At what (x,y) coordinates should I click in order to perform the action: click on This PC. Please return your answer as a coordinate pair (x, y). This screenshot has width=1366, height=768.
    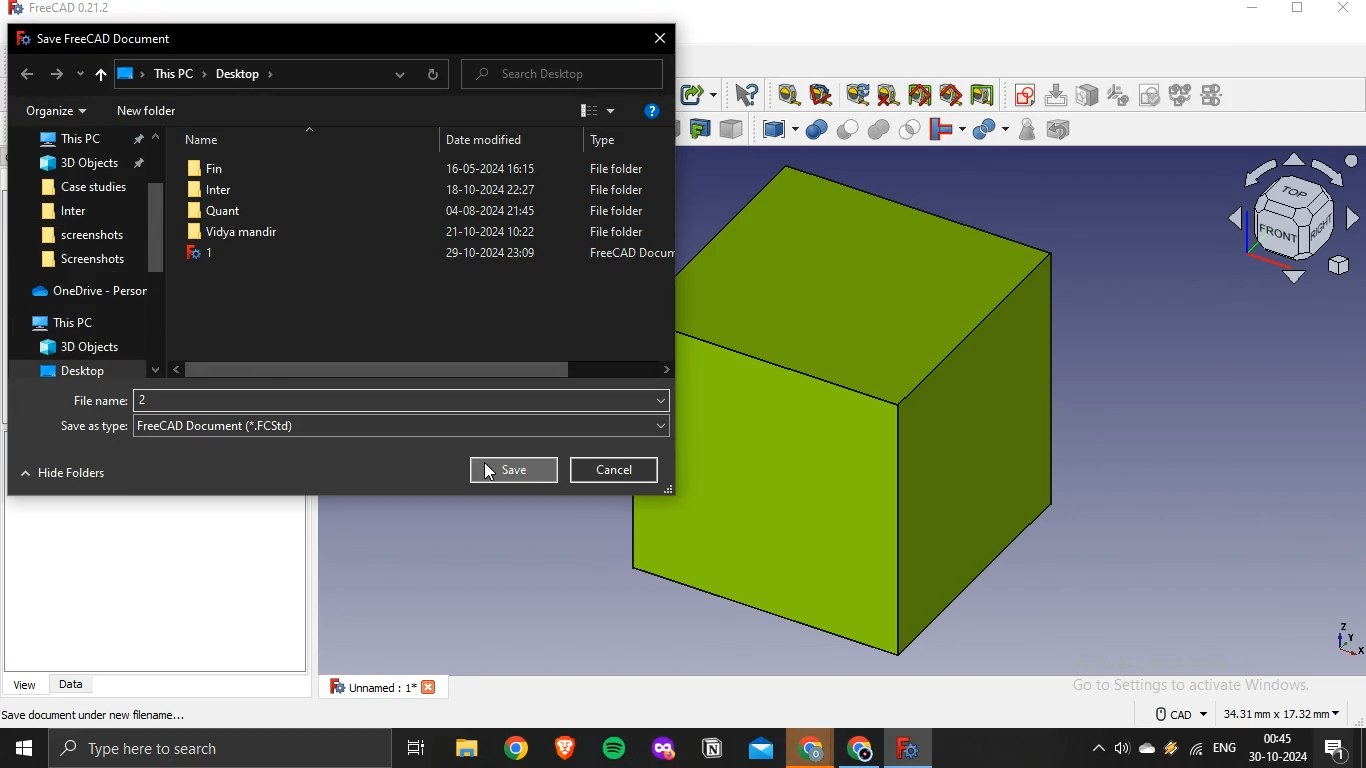
    Looking at the image, I should click on (67, 323).